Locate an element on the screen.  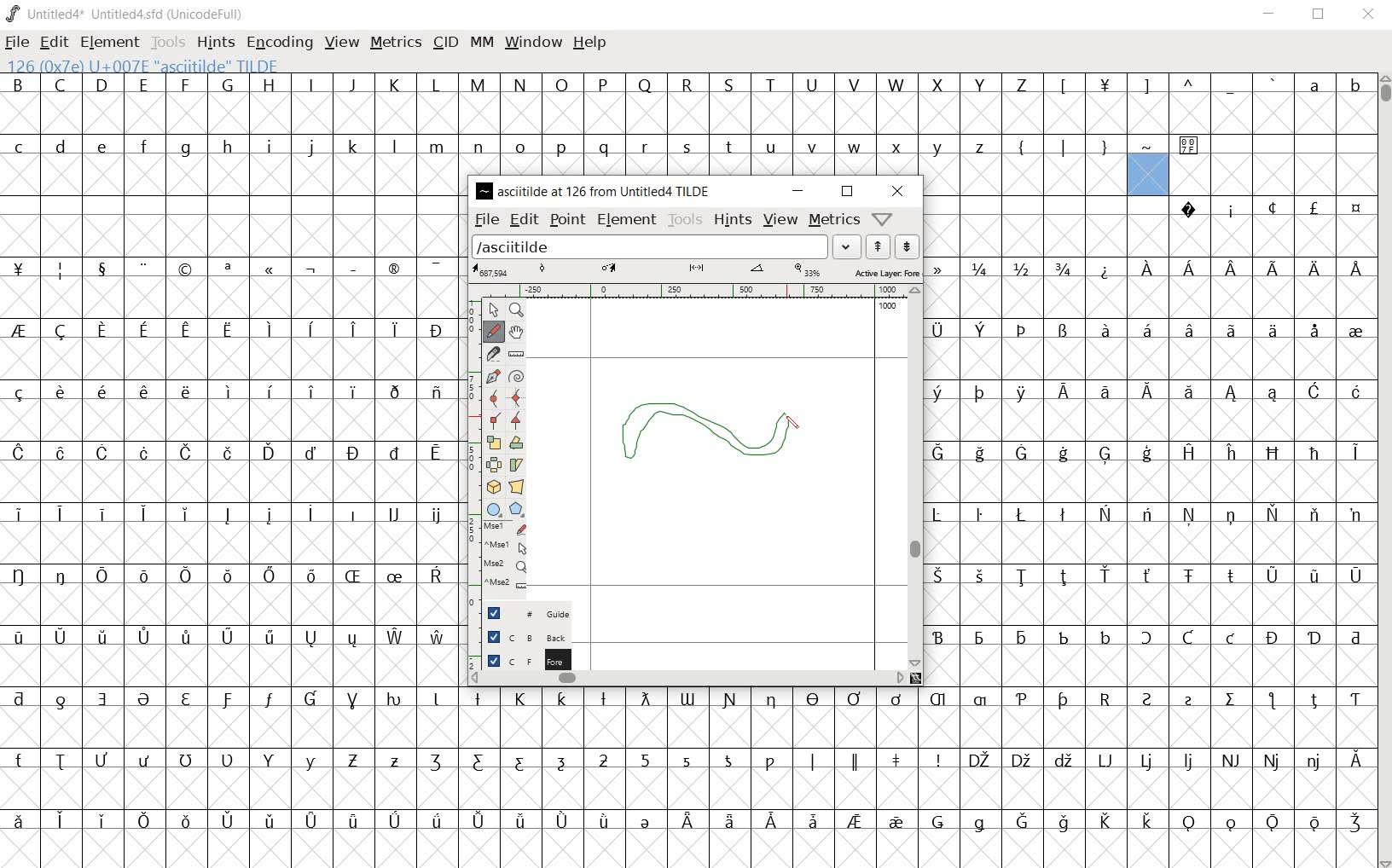
pointer is located at coordinates (493, 310).